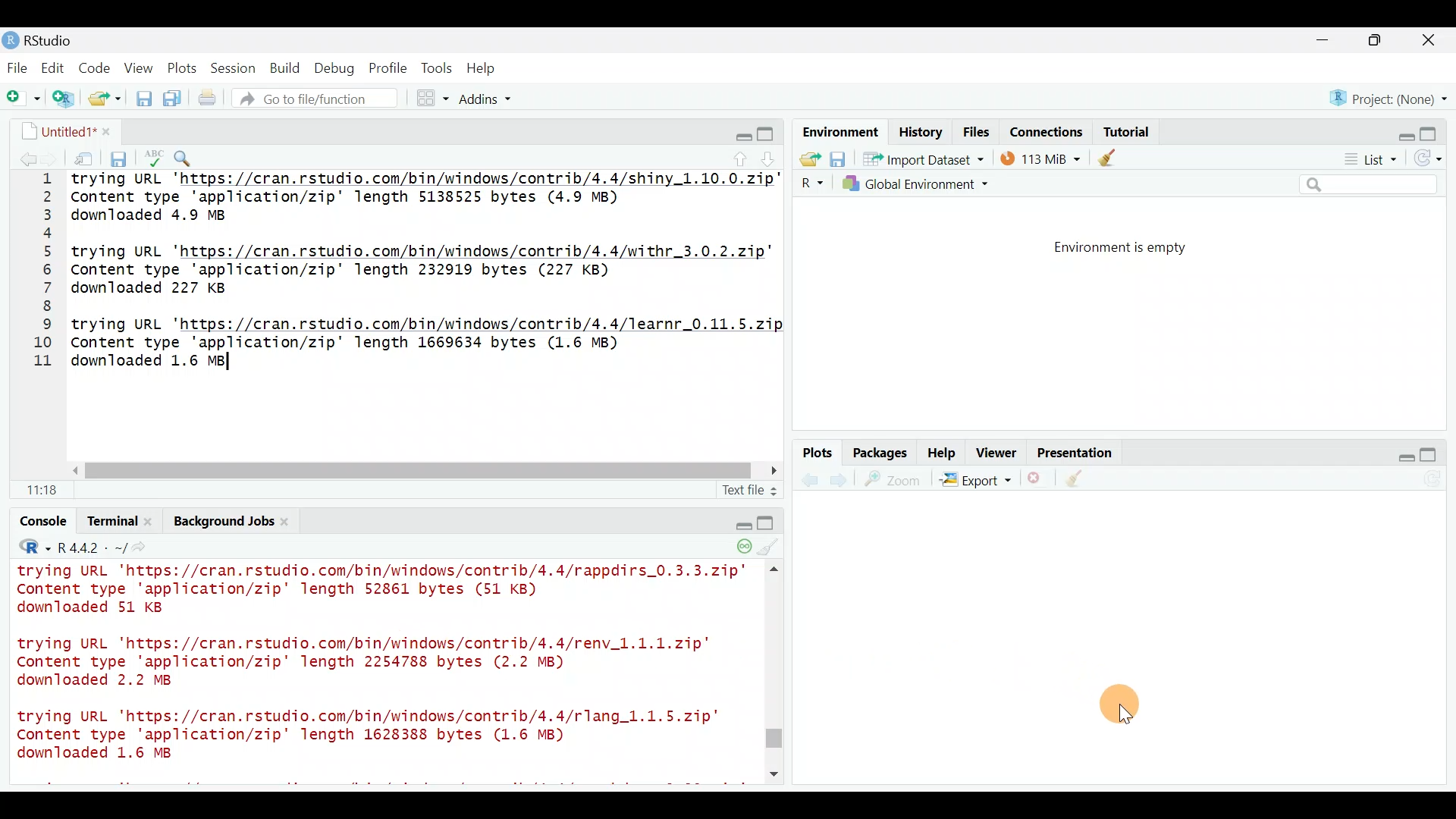 This screenshot has height=819, width=1456. Describe the element at coordinates (174, 99) in the screenshot. I see `Save all open documents` at that location.